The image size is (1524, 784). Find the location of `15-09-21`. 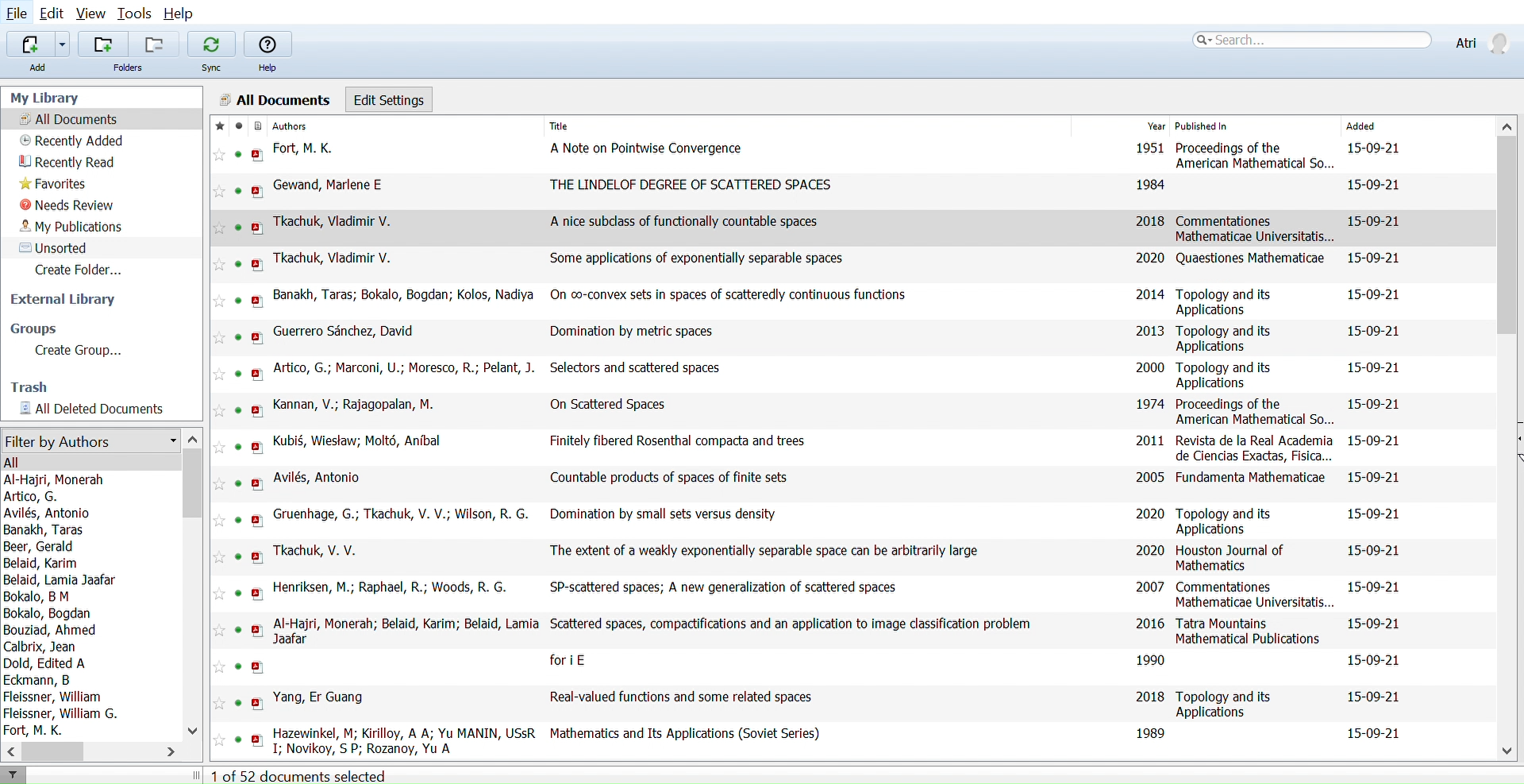

15-09-21 is located at coordinates (1375, 550).